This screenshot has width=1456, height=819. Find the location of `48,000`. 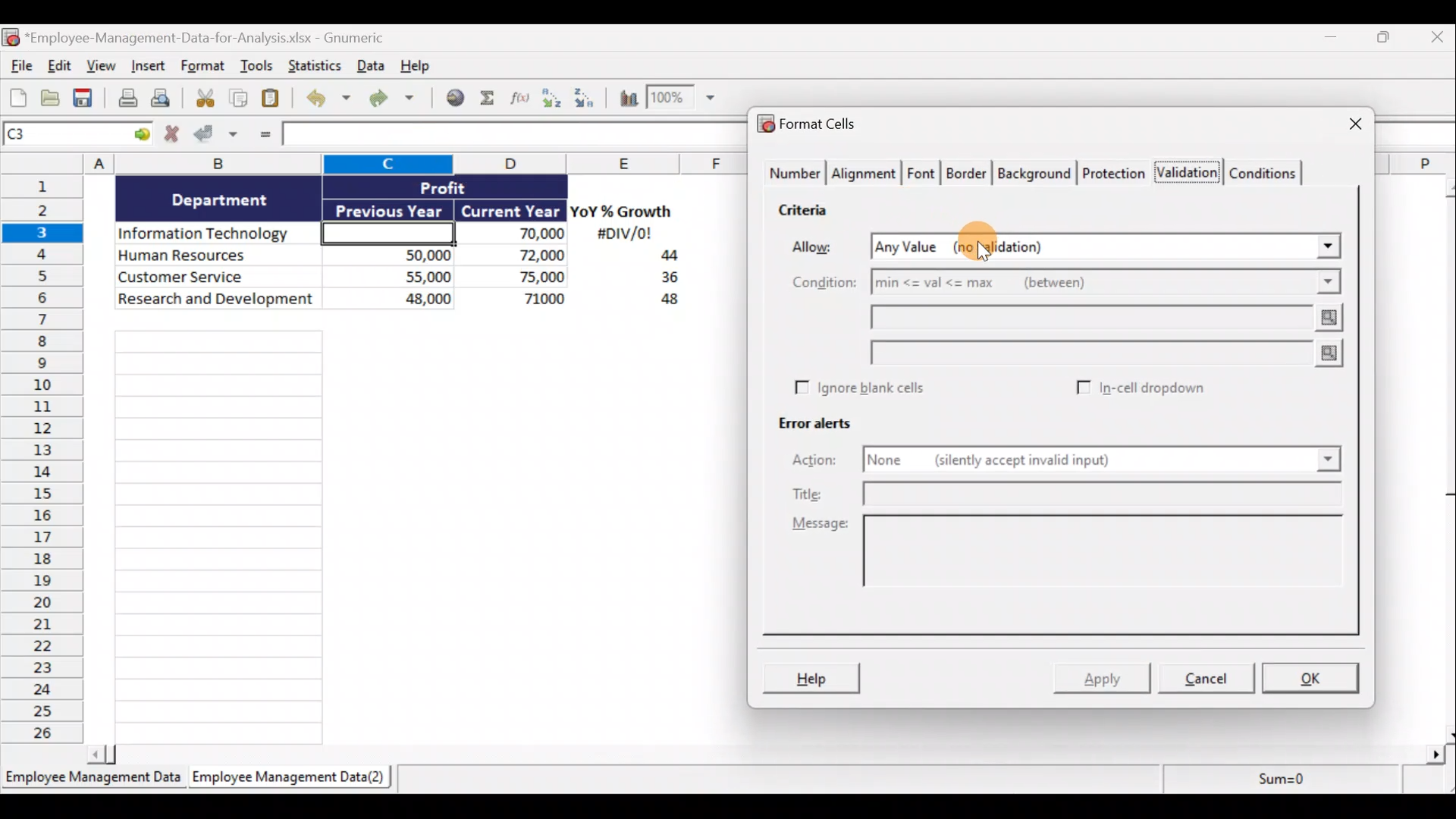

48,000 is located at coordinates (397, 301).